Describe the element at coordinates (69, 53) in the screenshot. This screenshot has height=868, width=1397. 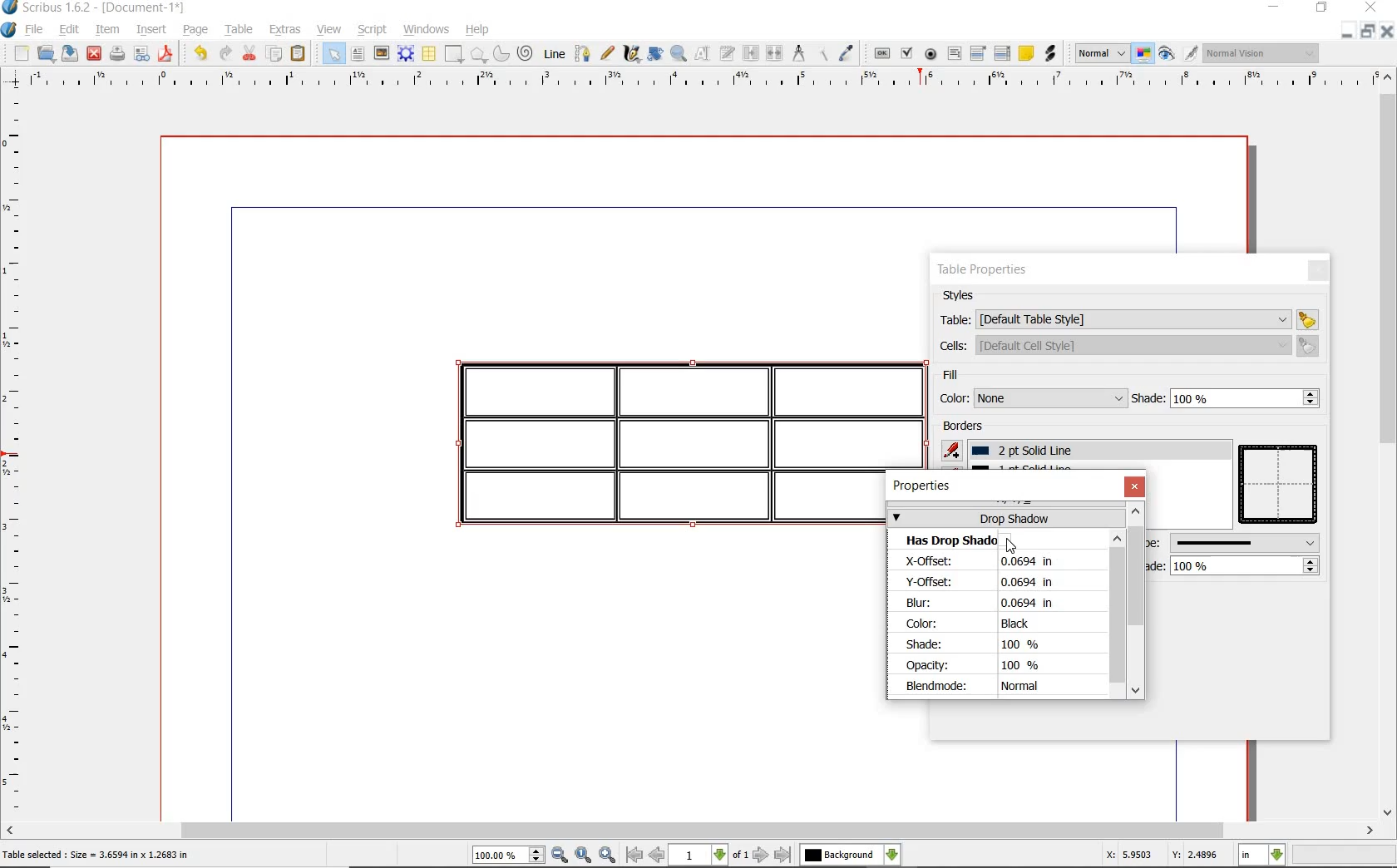
I see `save` at that location.